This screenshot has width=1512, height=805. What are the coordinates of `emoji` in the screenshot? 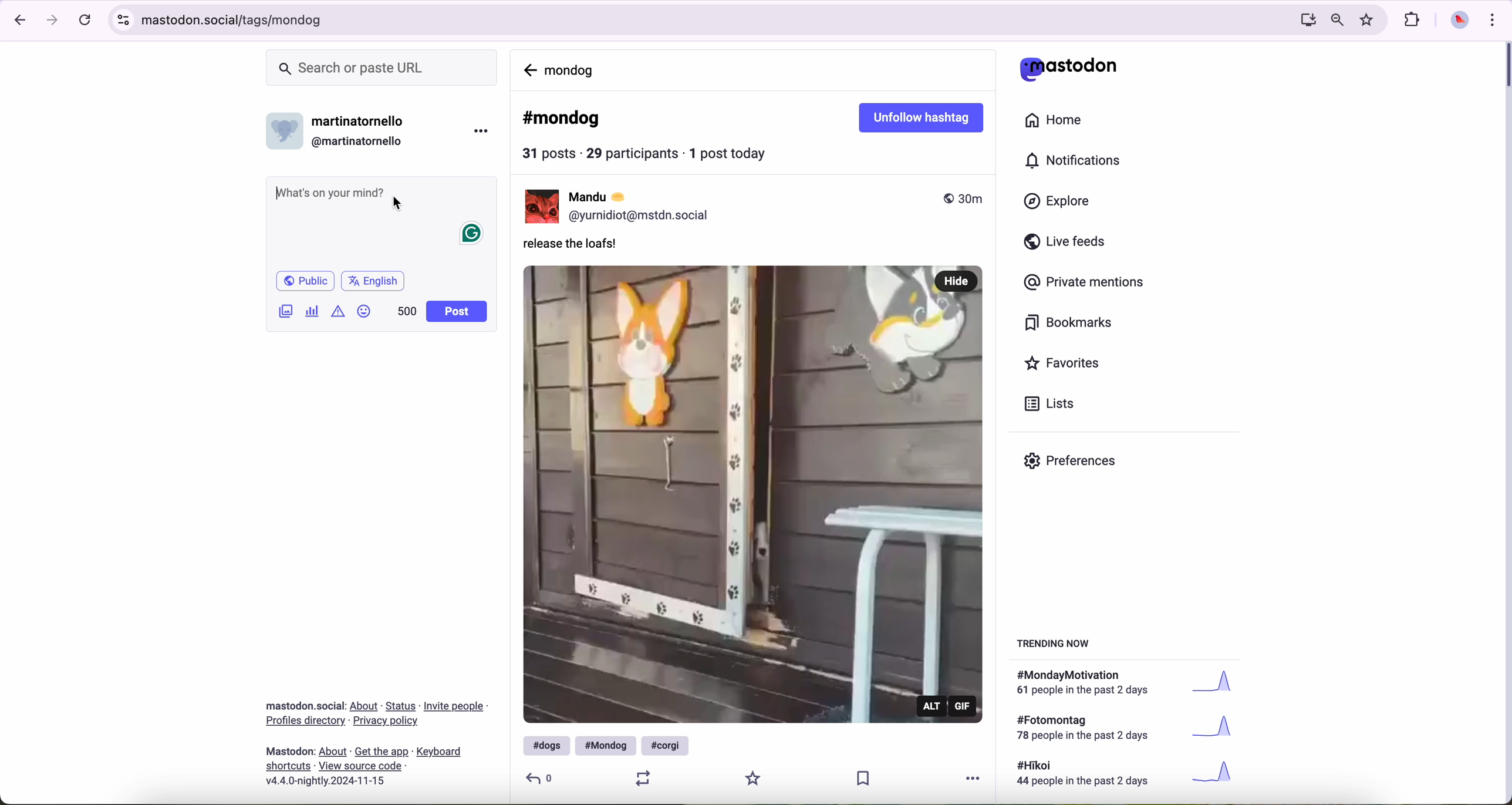 It's located at (364, 312).